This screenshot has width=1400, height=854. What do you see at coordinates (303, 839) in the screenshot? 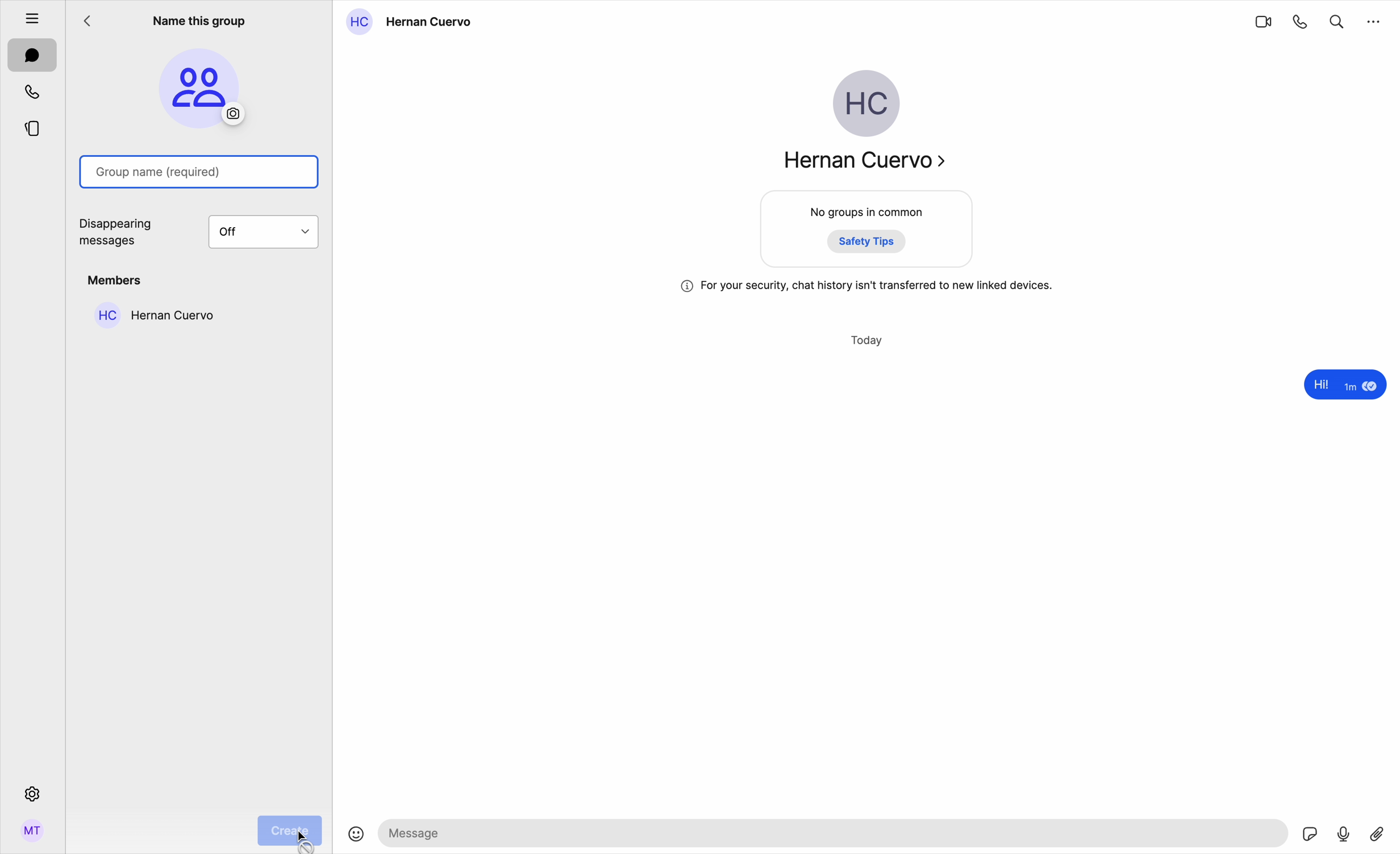
I see `cursor ` at bounding box center [303, 839].